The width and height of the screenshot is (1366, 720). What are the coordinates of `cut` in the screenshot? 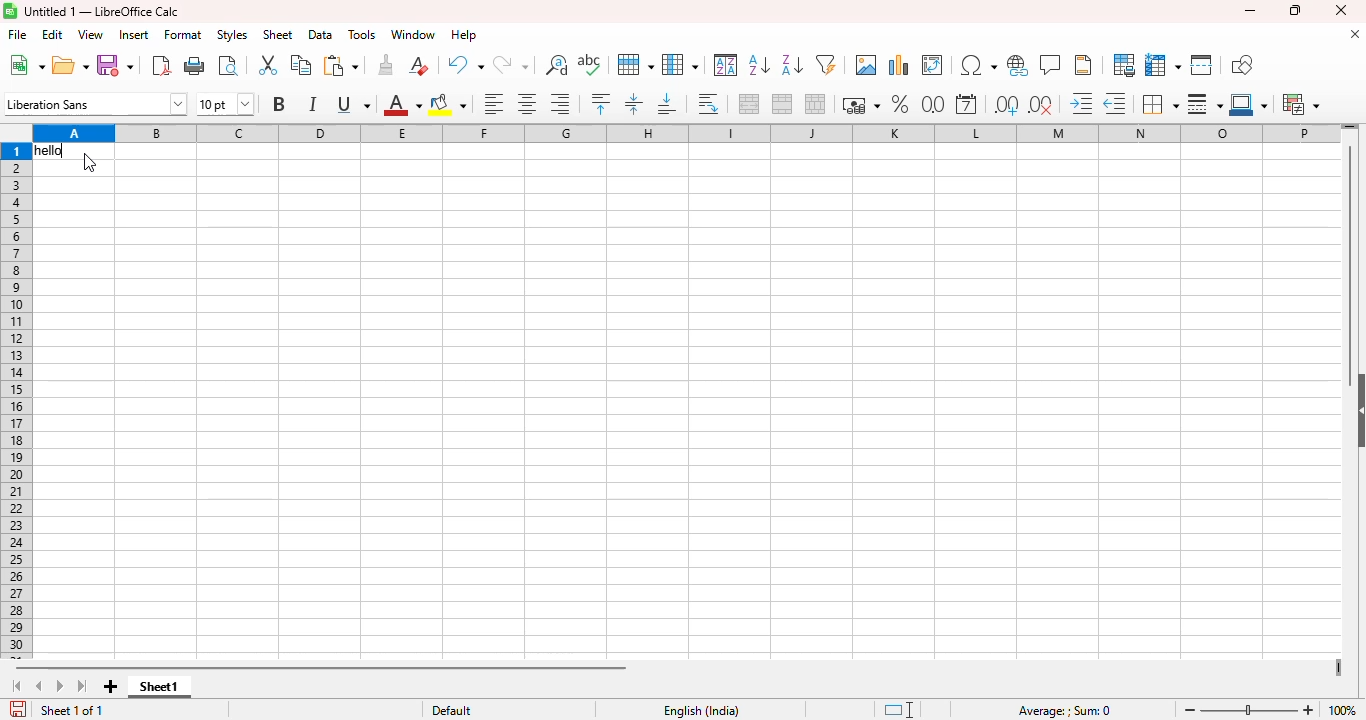 It's located at (267, 65).